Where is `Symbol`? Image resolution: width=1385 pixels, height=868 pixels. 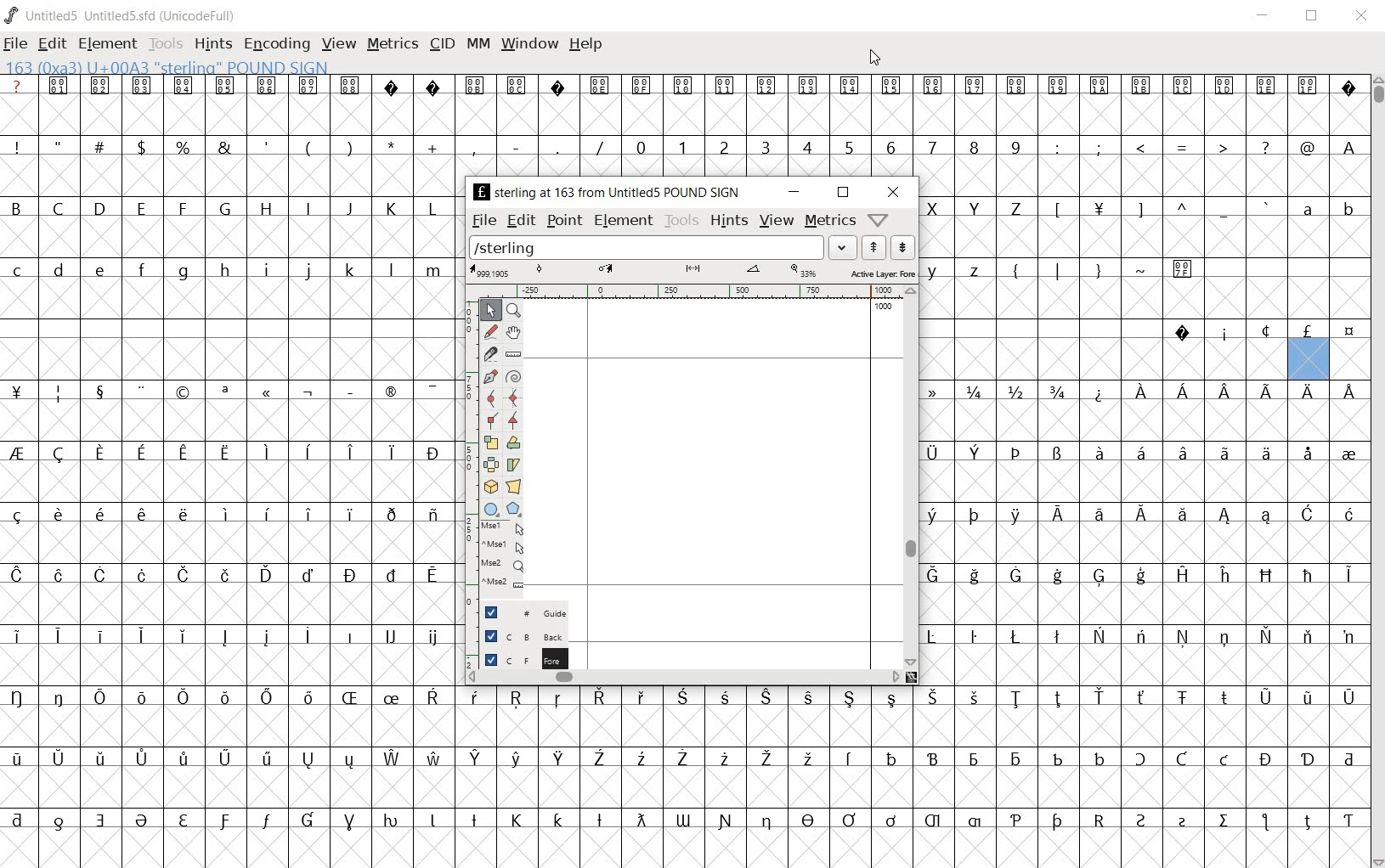
Symbol is located at coordinates (391, 393).